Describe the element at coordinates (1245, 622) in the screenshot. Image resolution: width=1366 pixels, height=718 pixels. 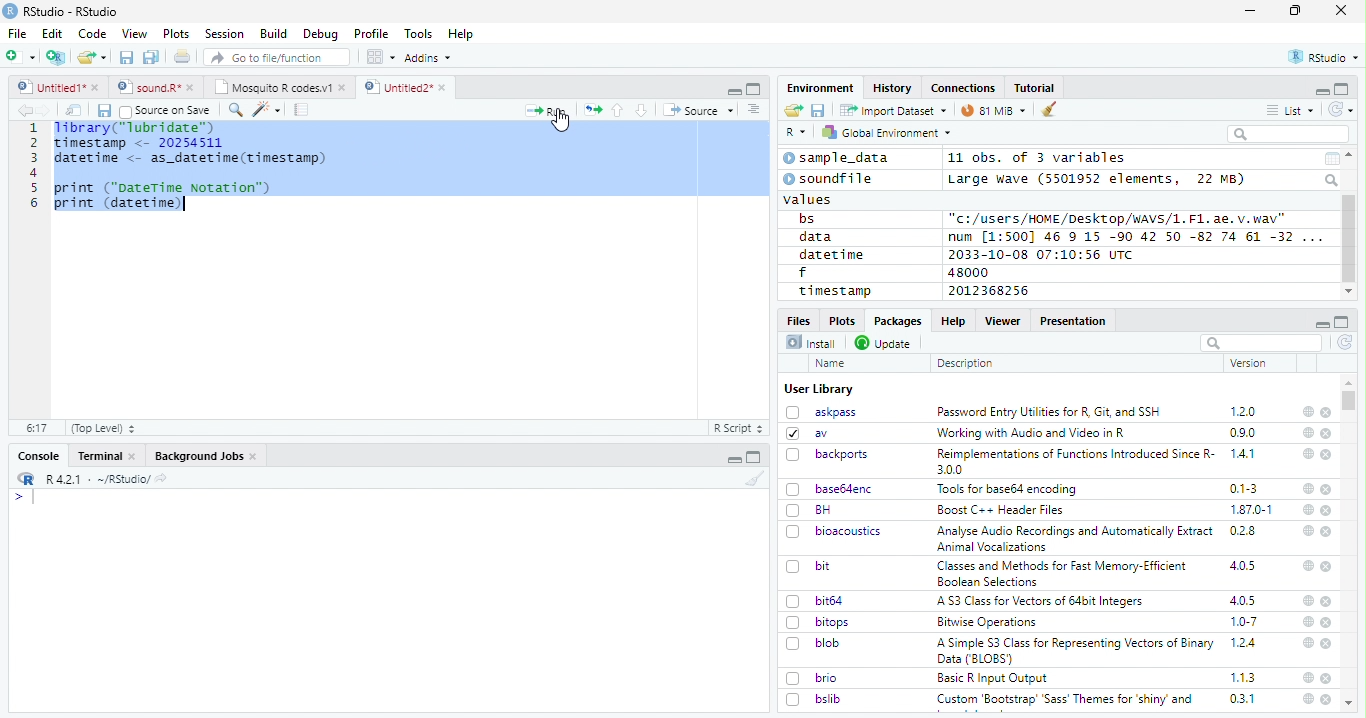
I see `1.0-7` at that location.